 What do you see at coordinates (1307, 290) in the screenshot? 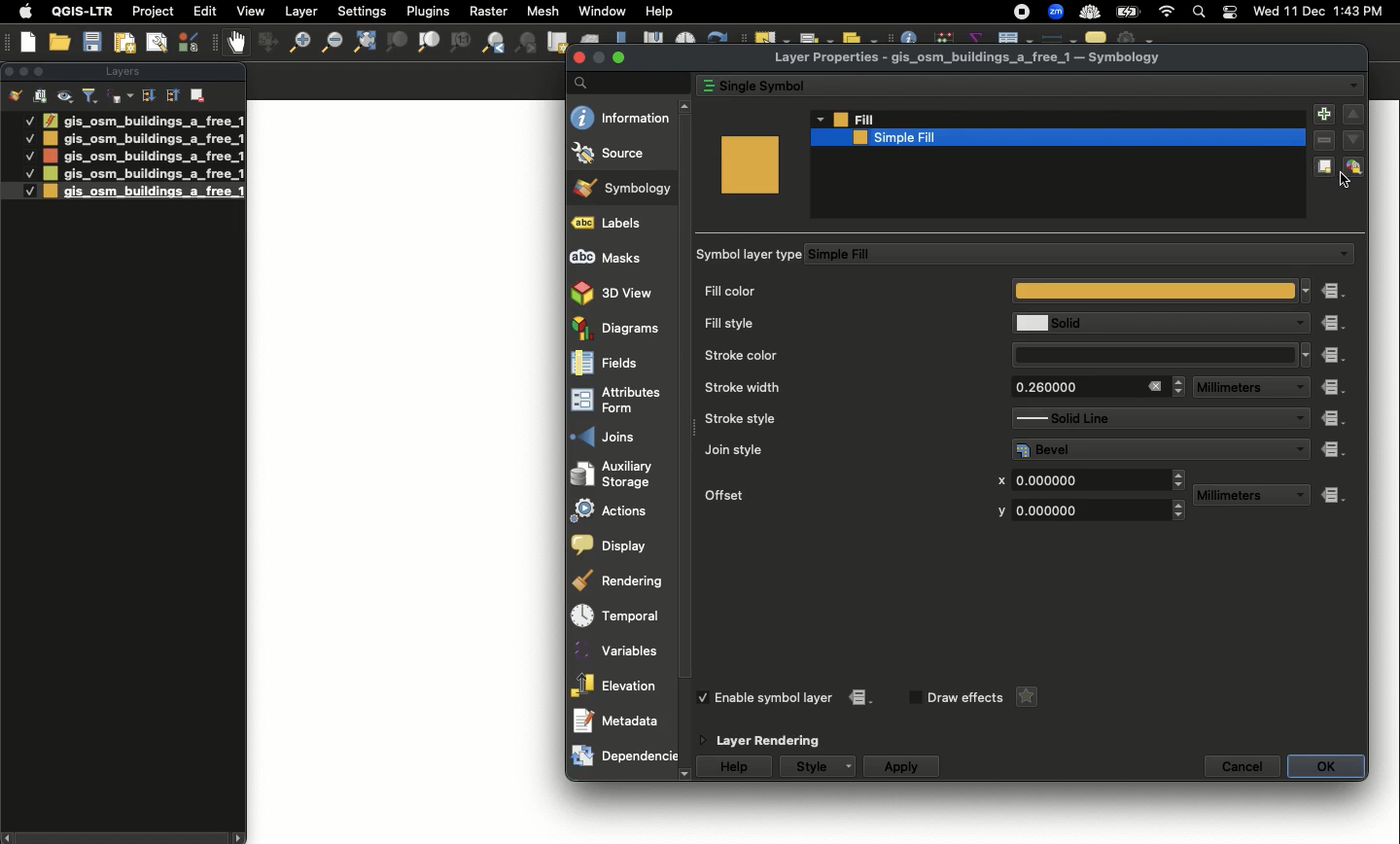
I see `Drop down` at bounding box center [1307, 290].